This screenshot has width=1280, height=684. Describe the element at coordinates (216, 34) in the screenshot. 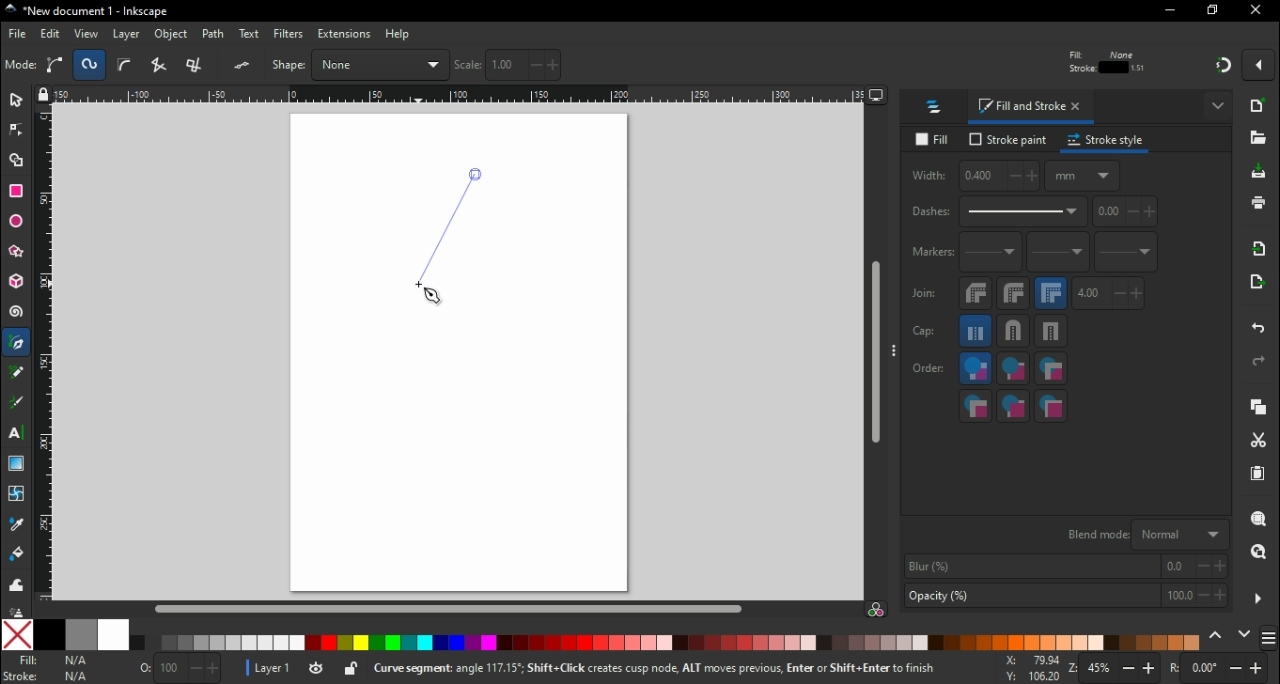

I see `path` at that location.